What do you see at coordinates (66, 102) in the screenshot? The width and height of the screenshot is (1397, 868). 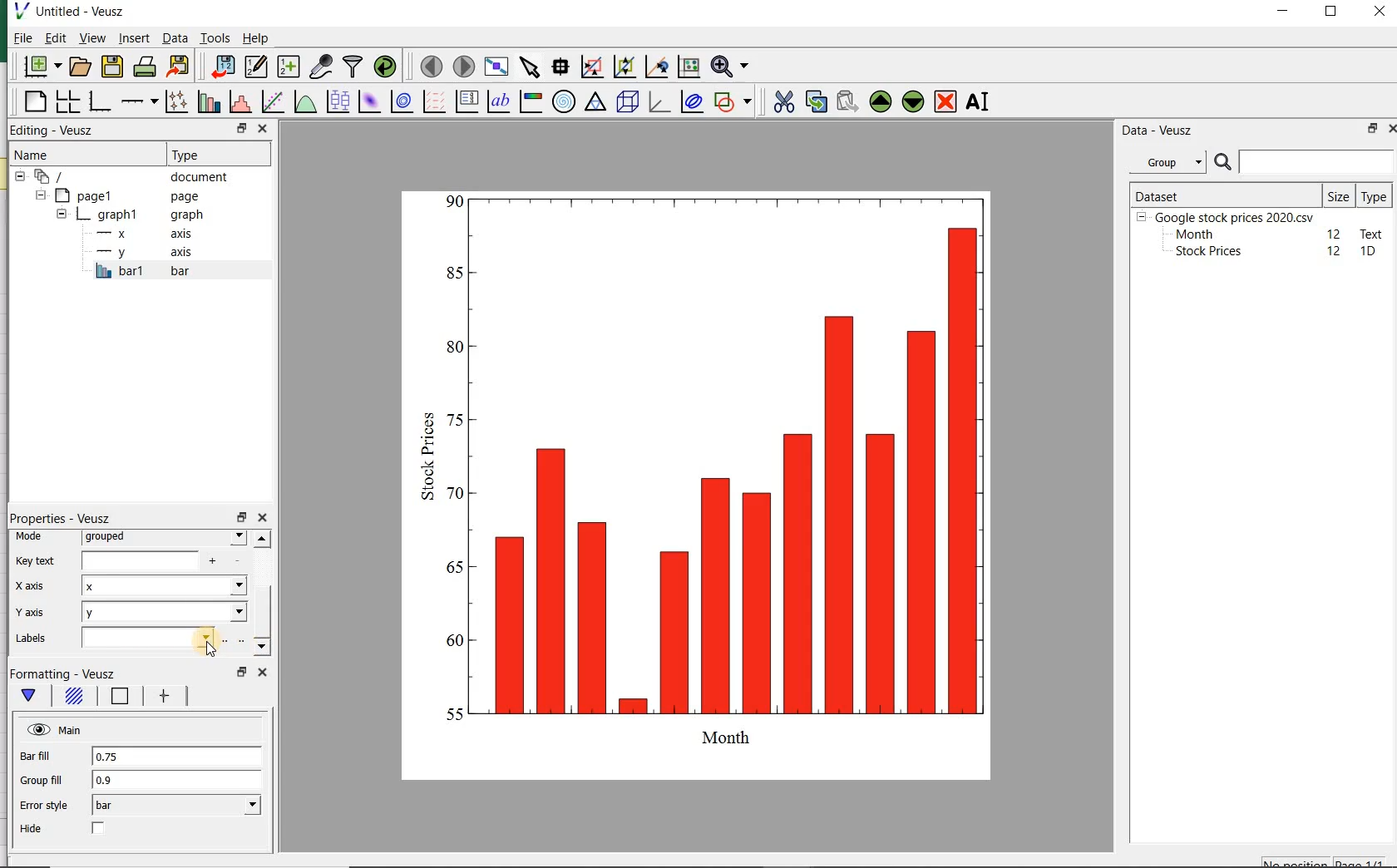 I see `arrange graphs in a grid` at bounding box center [66, 102].